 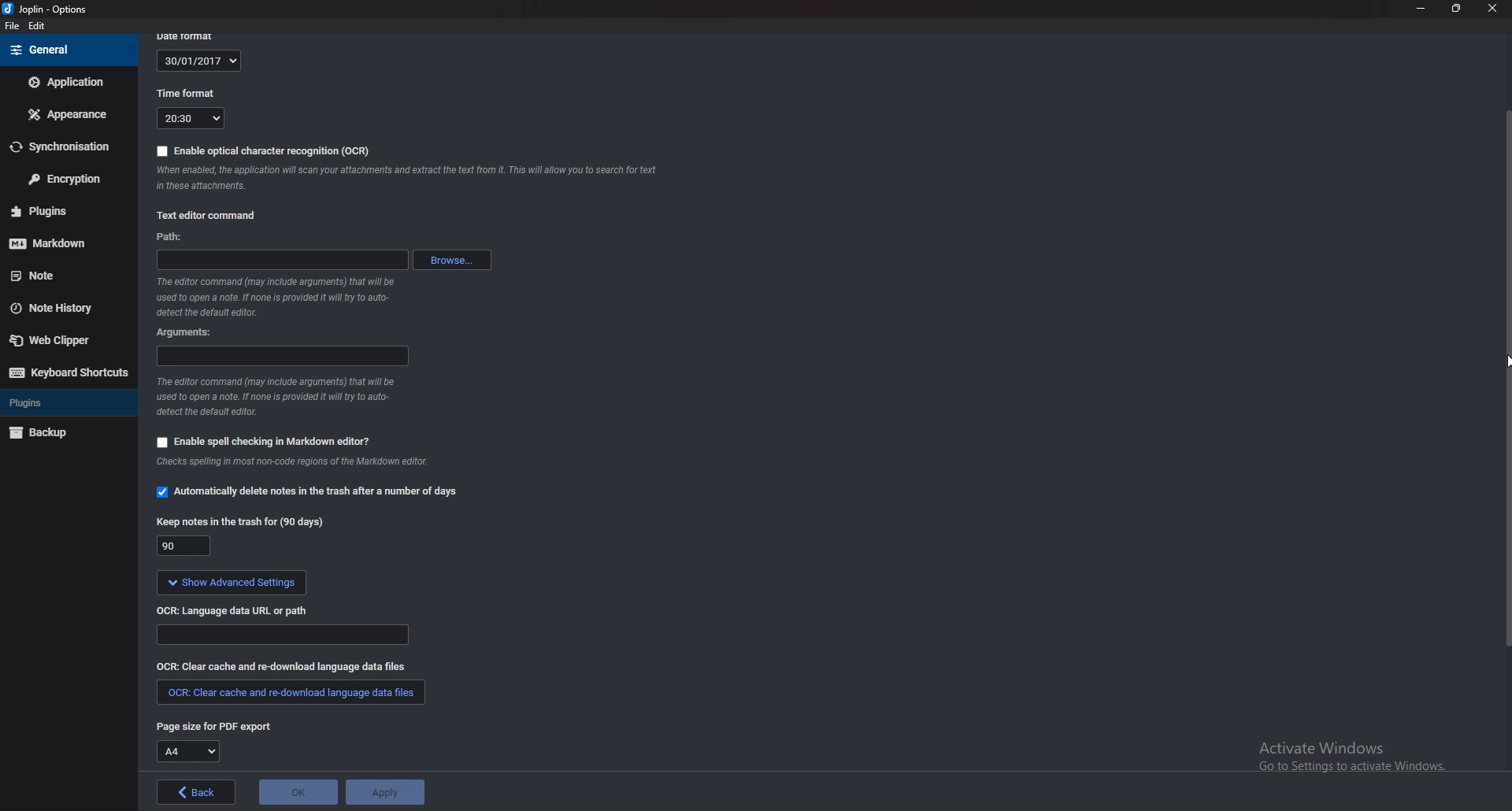 What do you see at coordinates (66, 306) in the screenshot?
I see `Note history` at bounding box center [66, 306].